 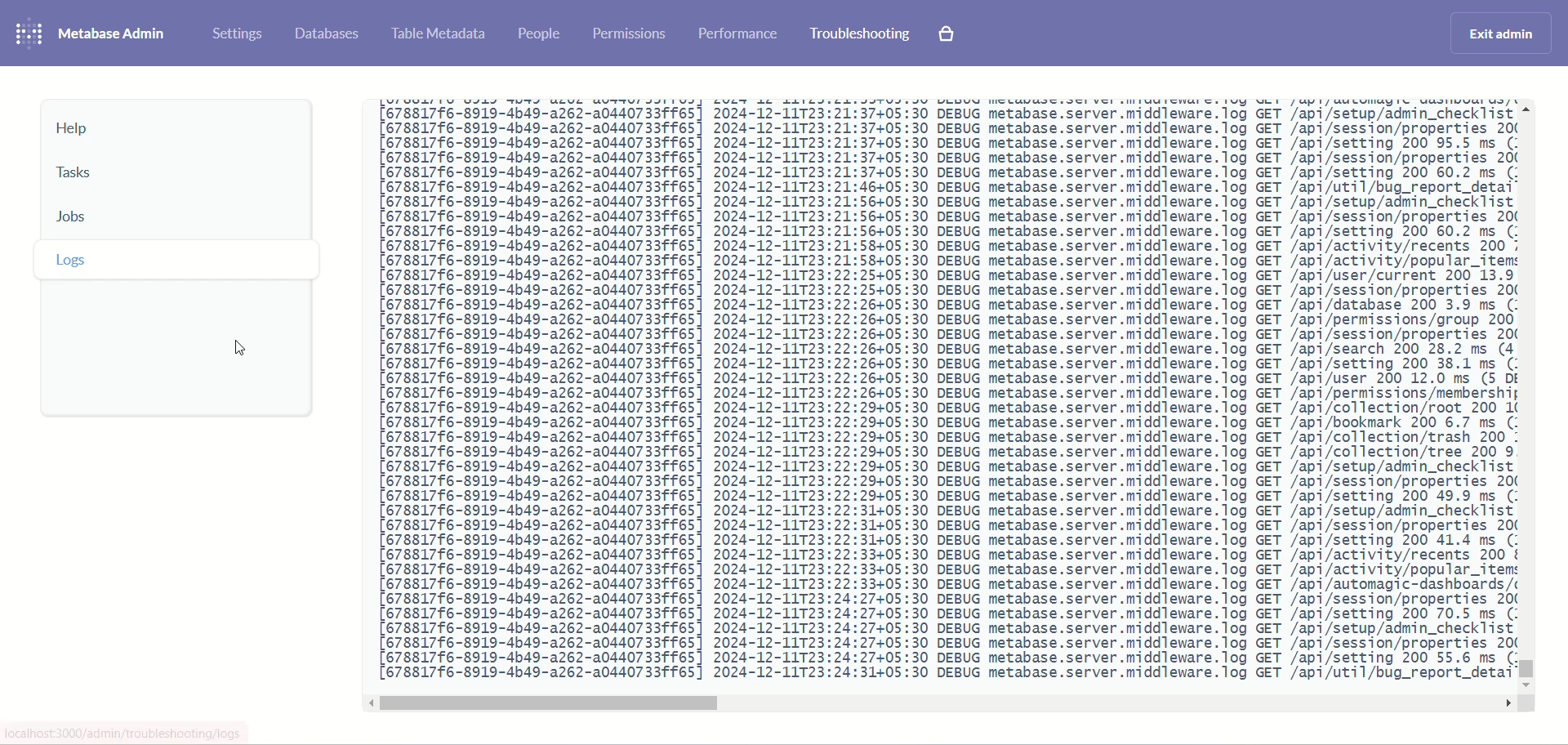 What do you see at coordinates (174, 262) in the screenshot?
I see `logs` at bounding box center [174, 262].